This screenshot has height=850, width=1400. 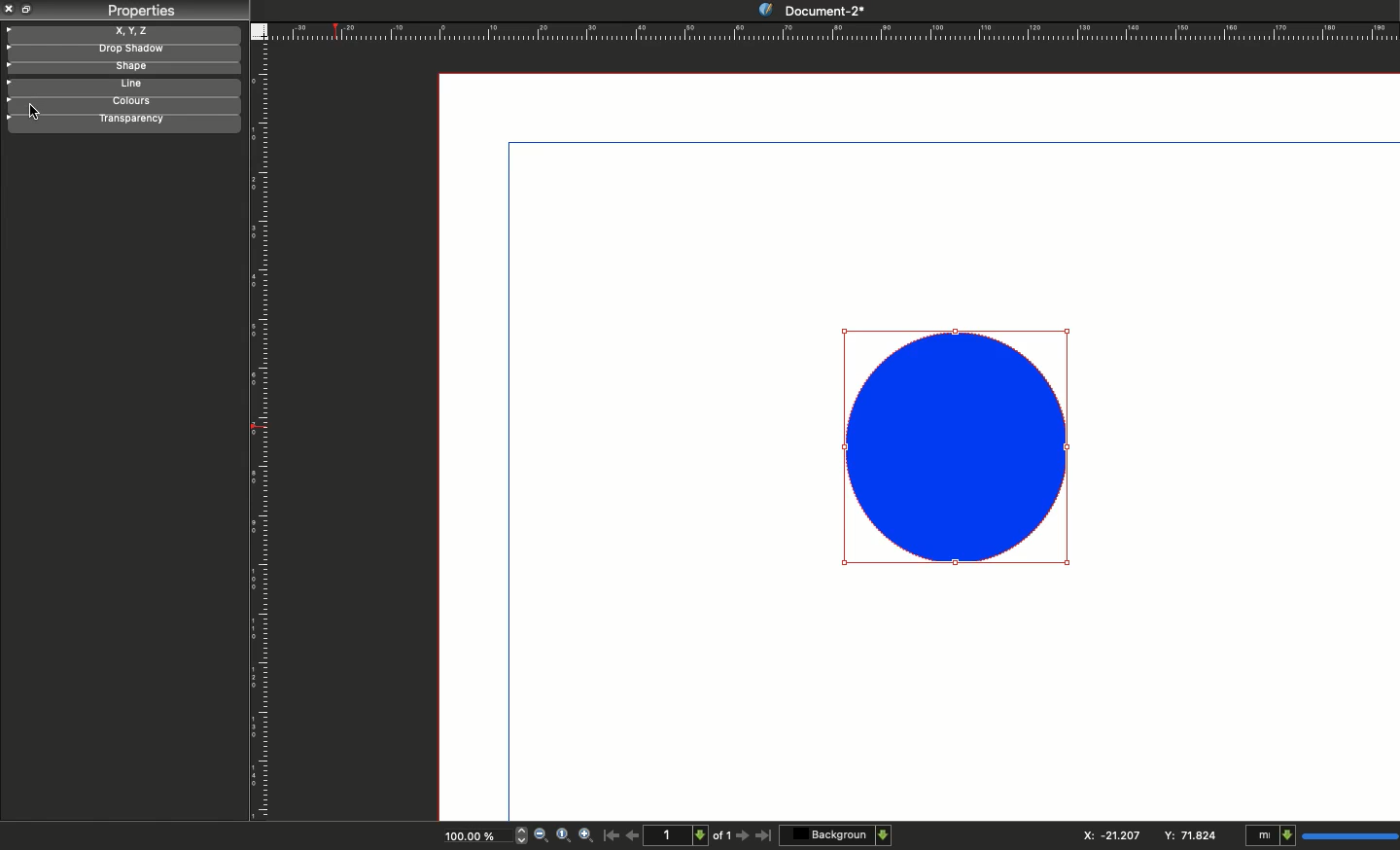 I want to click on Previous page, so click(x=633, y=834).